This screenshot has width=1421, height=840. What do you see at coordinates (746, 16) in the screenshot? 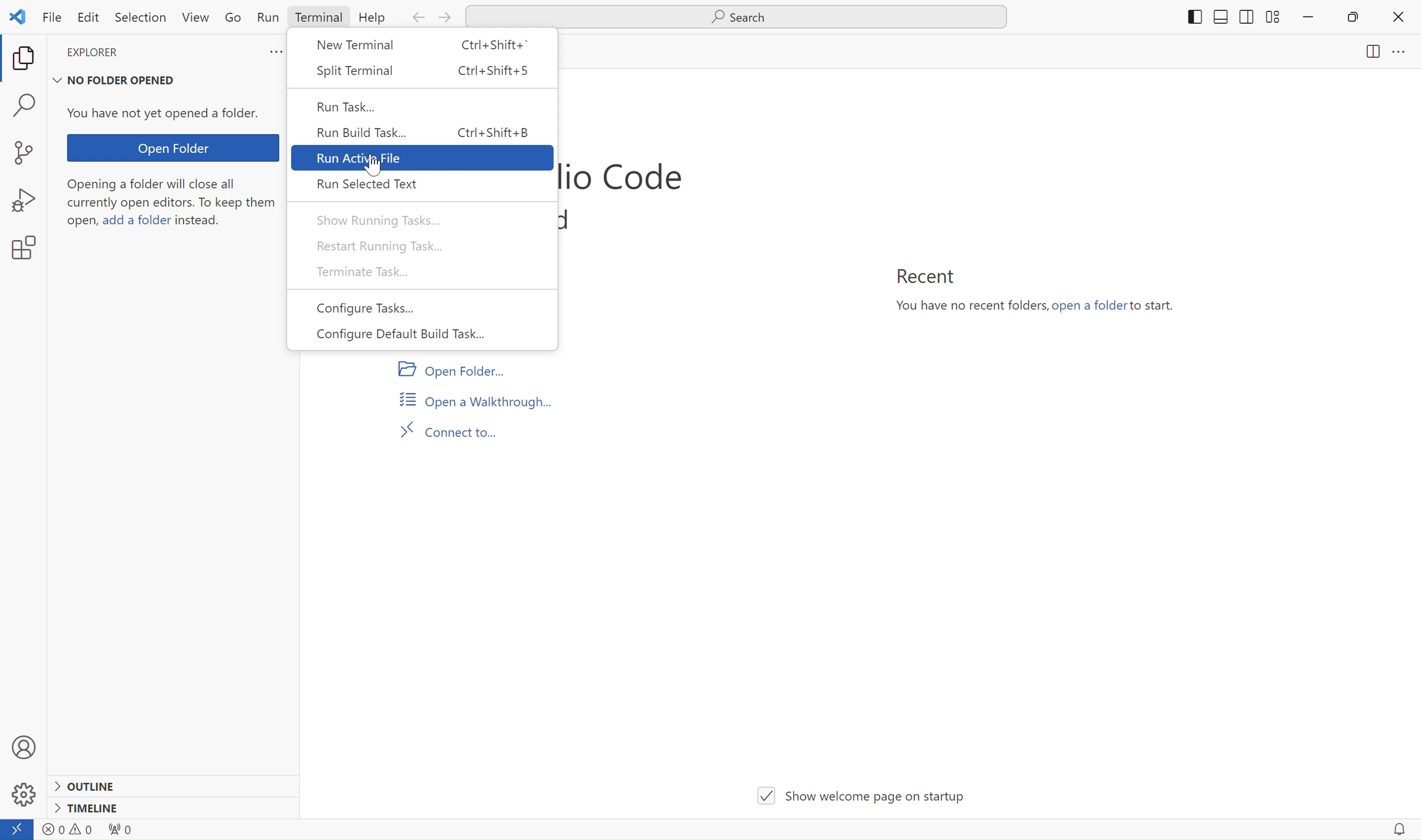
I see `Search` at bounding box center [746, 16].